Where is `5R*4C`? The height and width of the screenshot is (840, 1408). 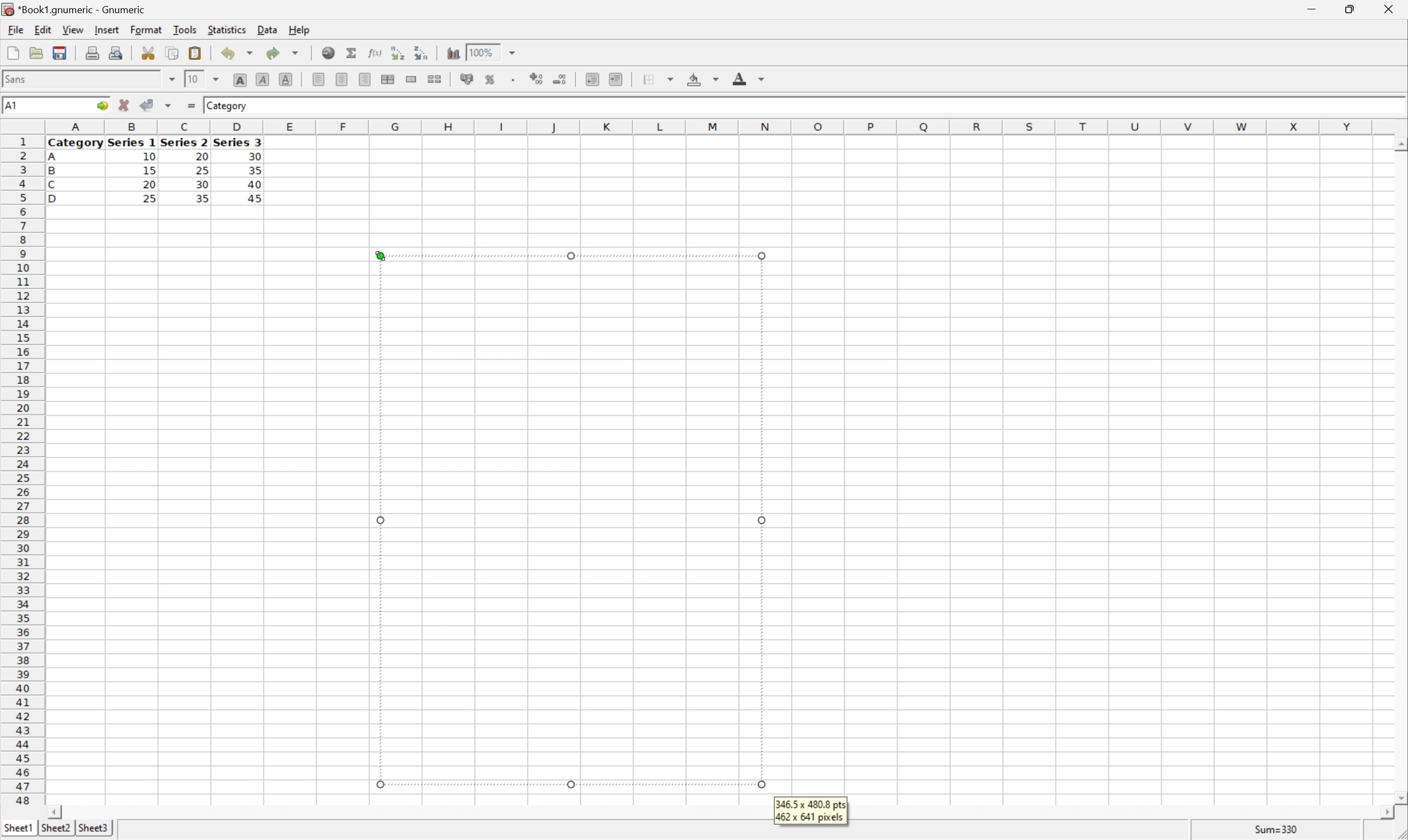
5R*4C is located at coordinates (24, 107).